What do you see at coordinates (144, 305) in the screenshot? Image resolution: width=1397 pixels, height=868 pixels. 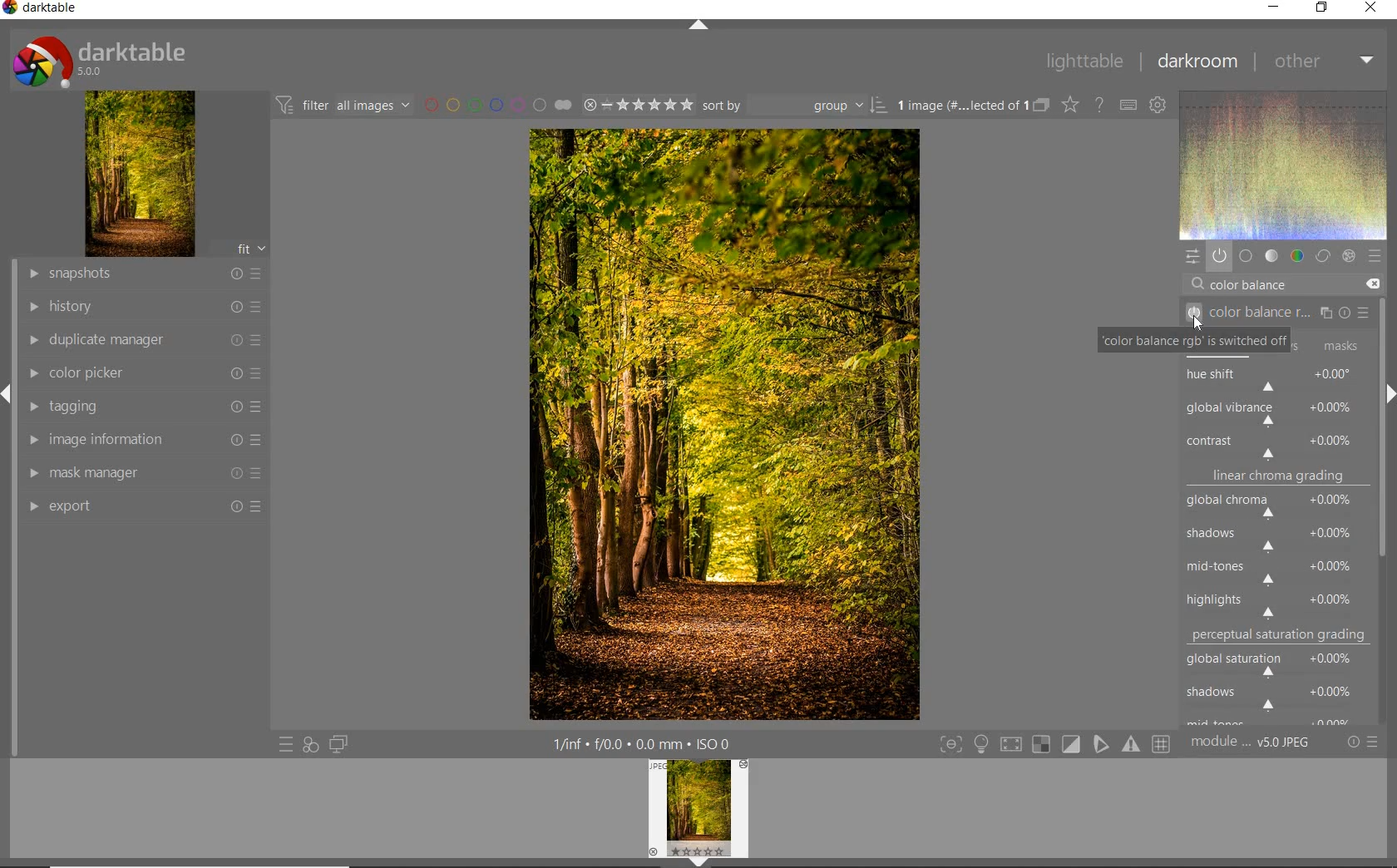 I see `history` at bounding box center [144, 305].